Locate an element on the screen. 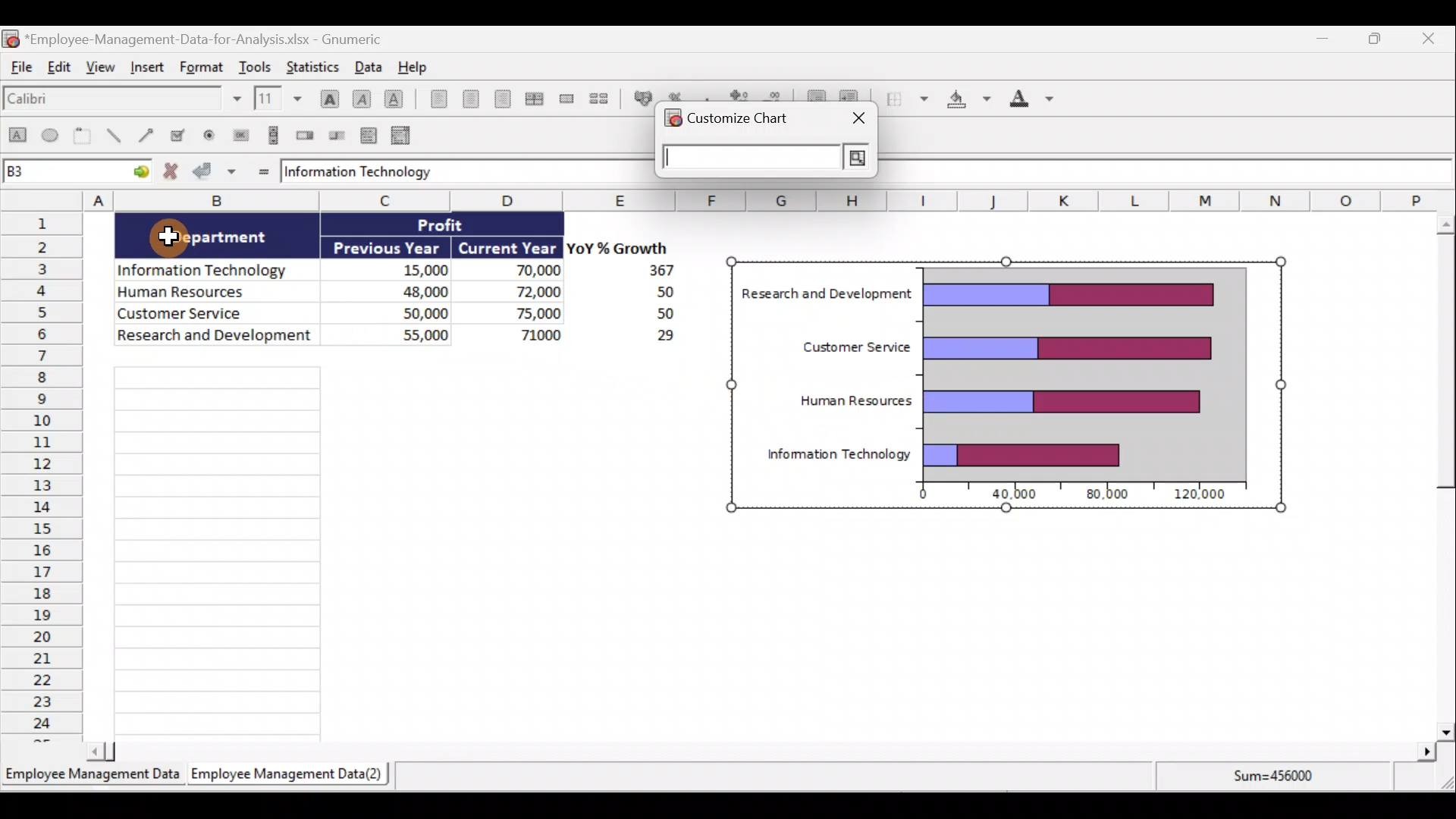 This screenshot has width=1456, height=819. Maximize is located at coordinates (1382, 41).